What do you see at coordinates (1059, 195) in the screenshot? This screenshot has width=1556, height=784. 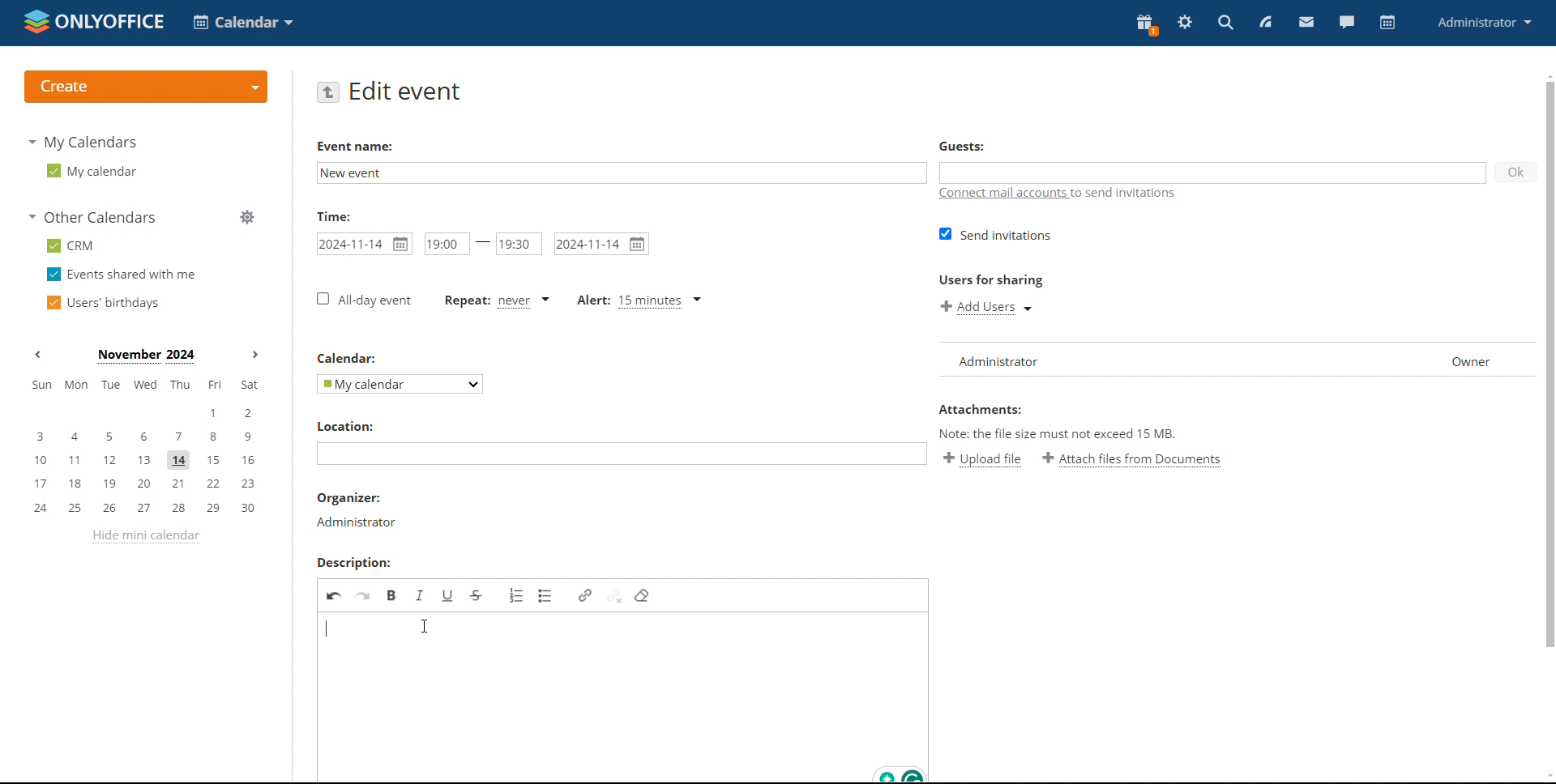 I see `connect mail accounts` at bounding box center [1059, 195].